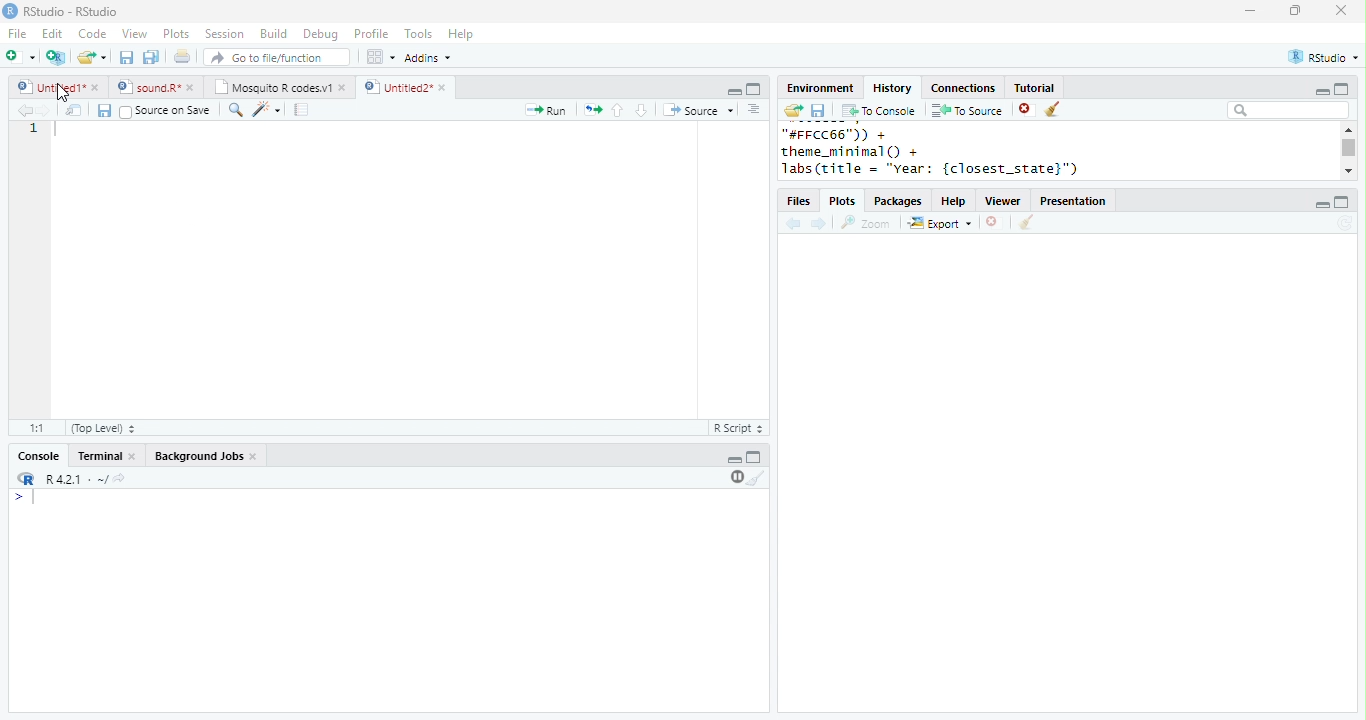 The height and width of the screenshot is (720, 1366). What do you see at coordinates (752, 109) in the screenshot?
I see `options` at bounding box center [752, 109].